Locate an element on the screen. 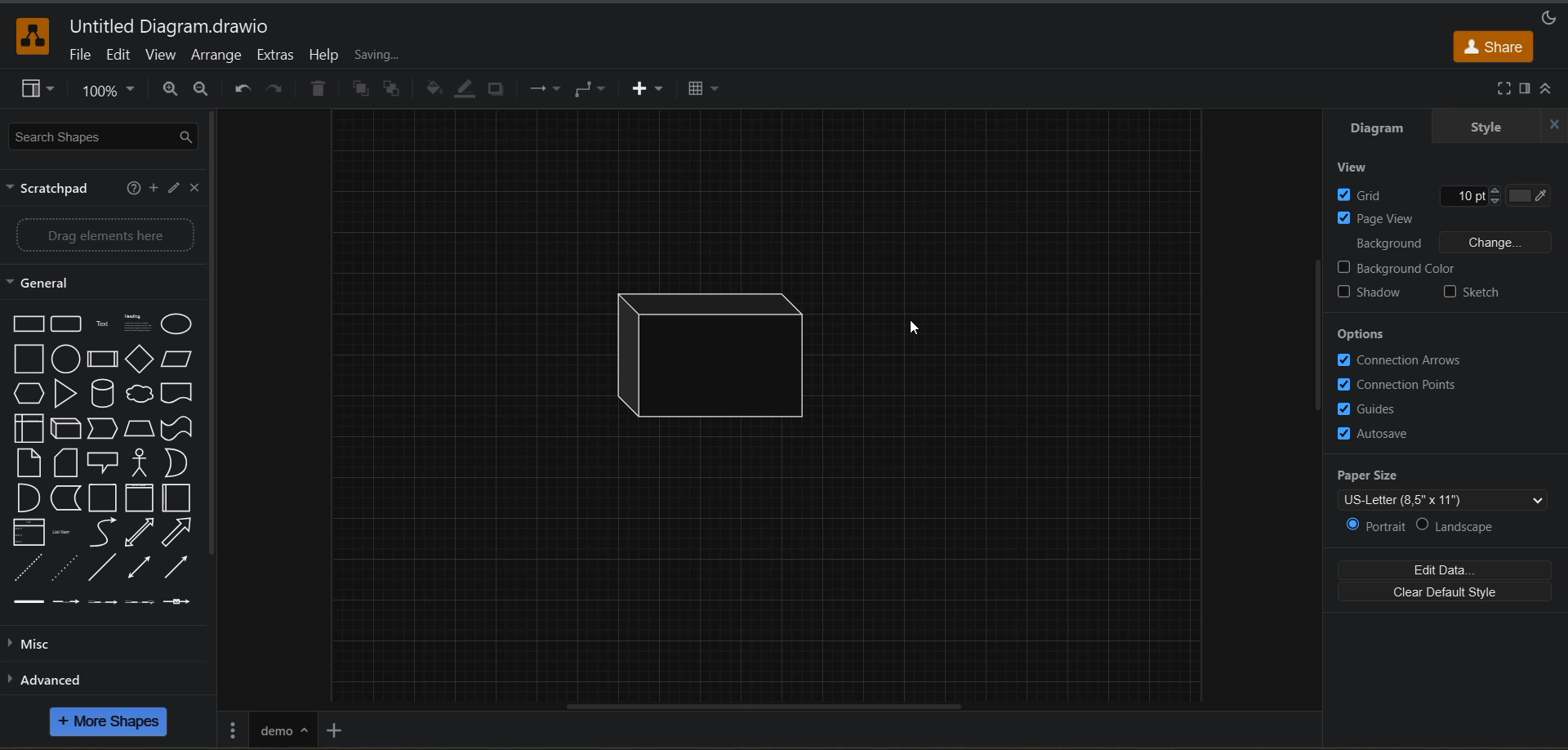 This screenshot has width=1568, height=750. file name - Untitled Diagram.drawio is located at coordinates (175, 26).